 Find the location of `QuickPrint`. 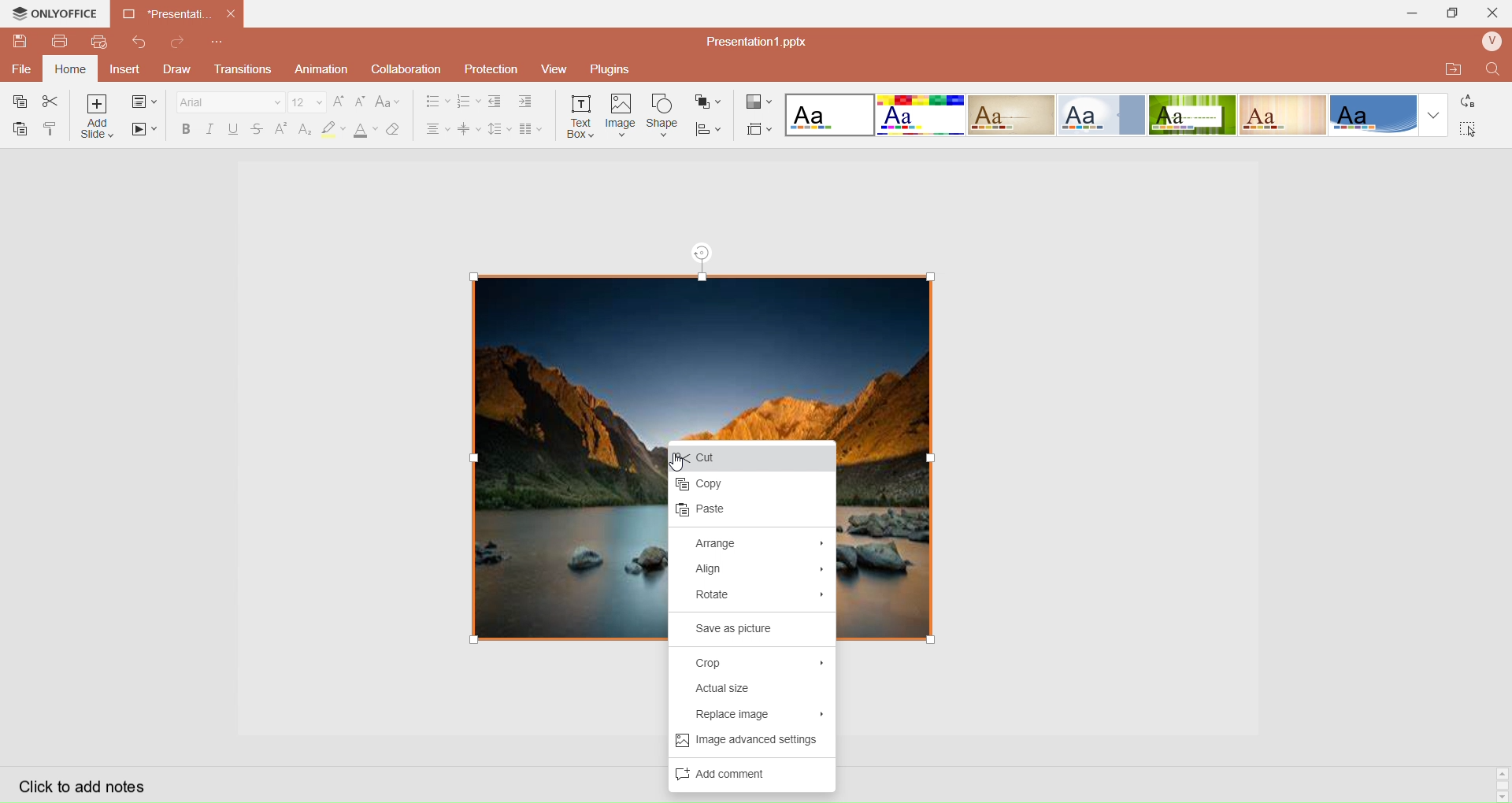

QuickPrint is located at coordinates (100, 43).